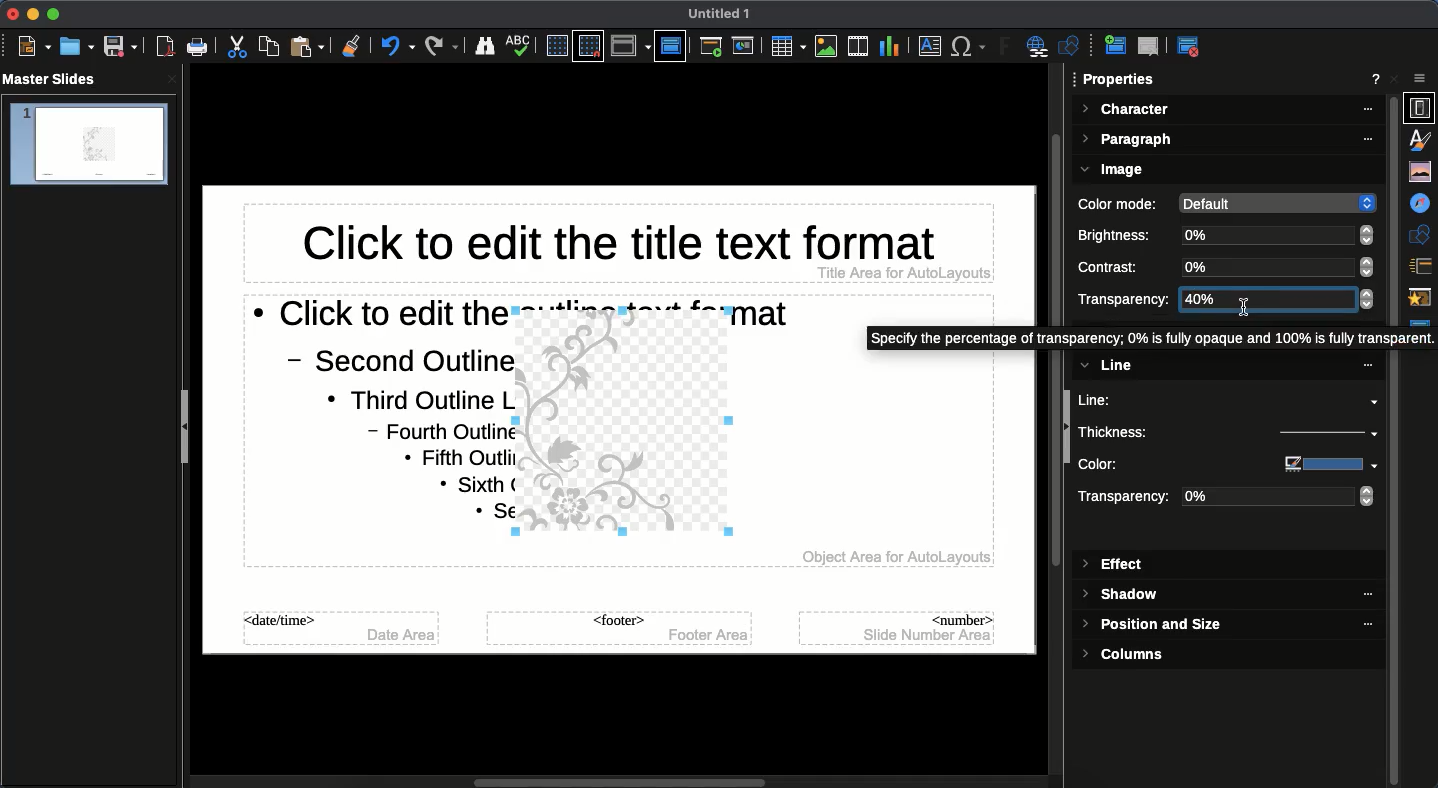 This screenshot has width=1438, height=788. What do you see at coordinates (555, 45) in the screenshot?
I see `Display grid` at bounding box center [555, 45].